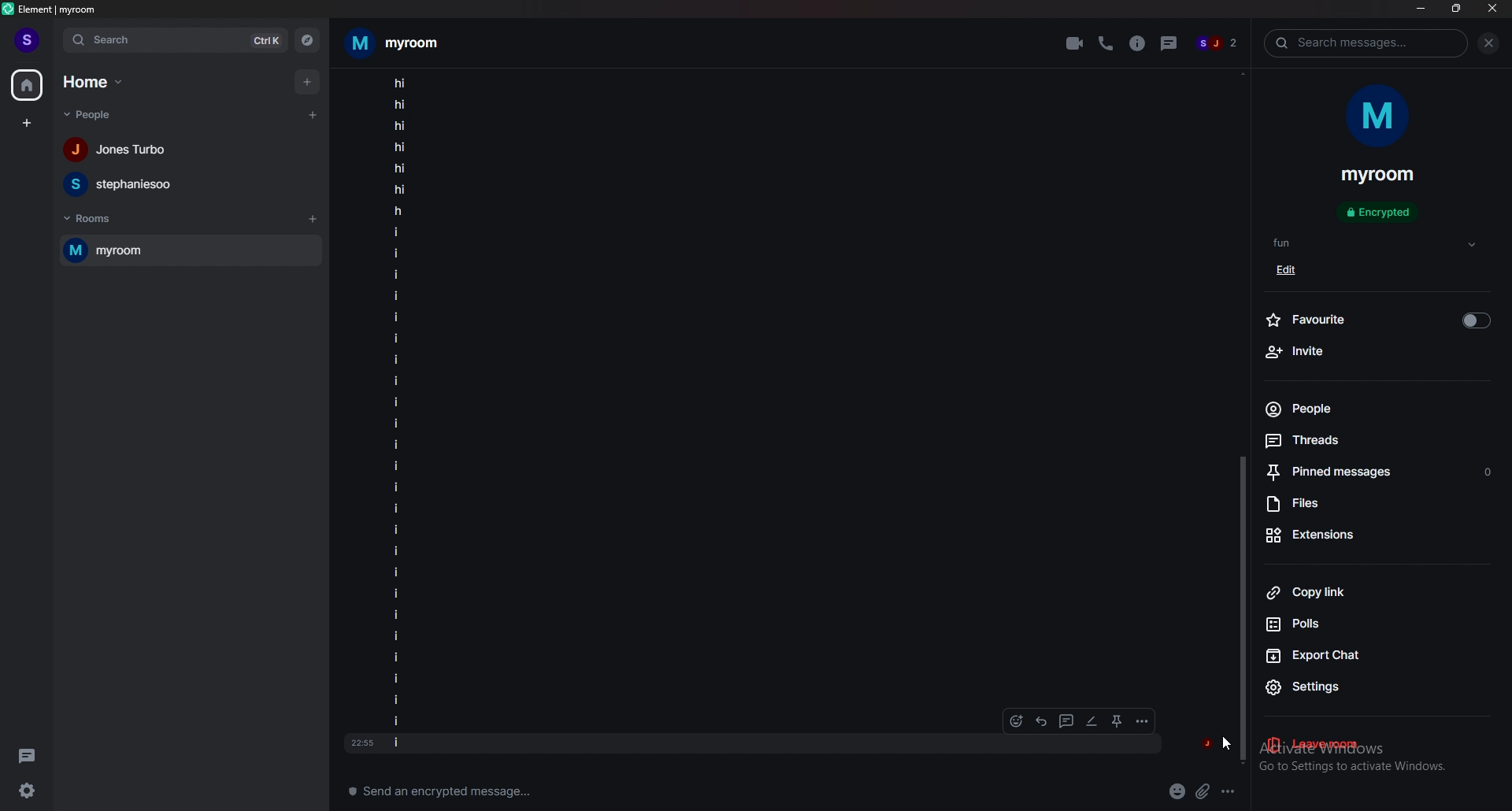 Image resolution: width=1512 pixels, height=811 pixels. I want to click on cursor, so click(1226, 740).